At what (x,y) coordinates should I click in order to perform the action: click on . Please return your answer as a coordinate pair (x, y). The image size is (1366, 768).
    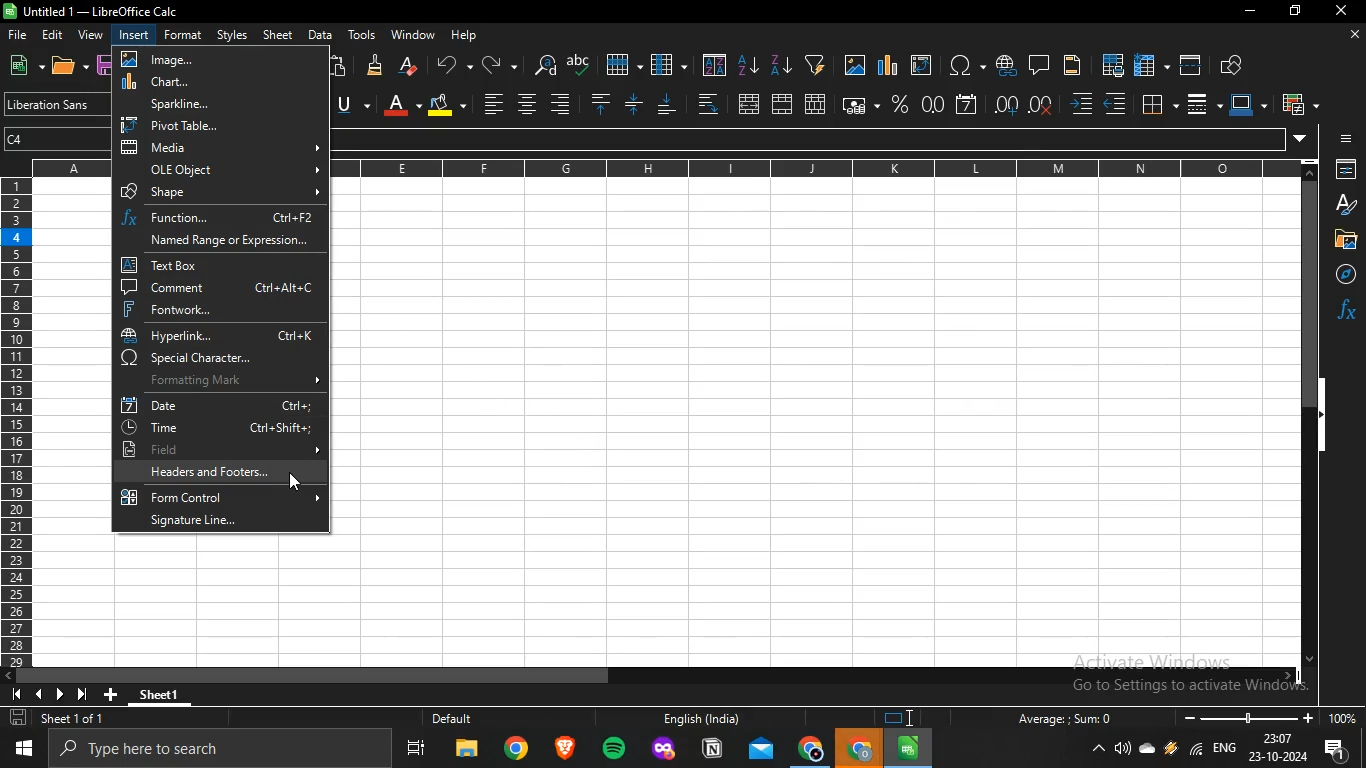
    Looking at the image, I should click on (1343, 239).